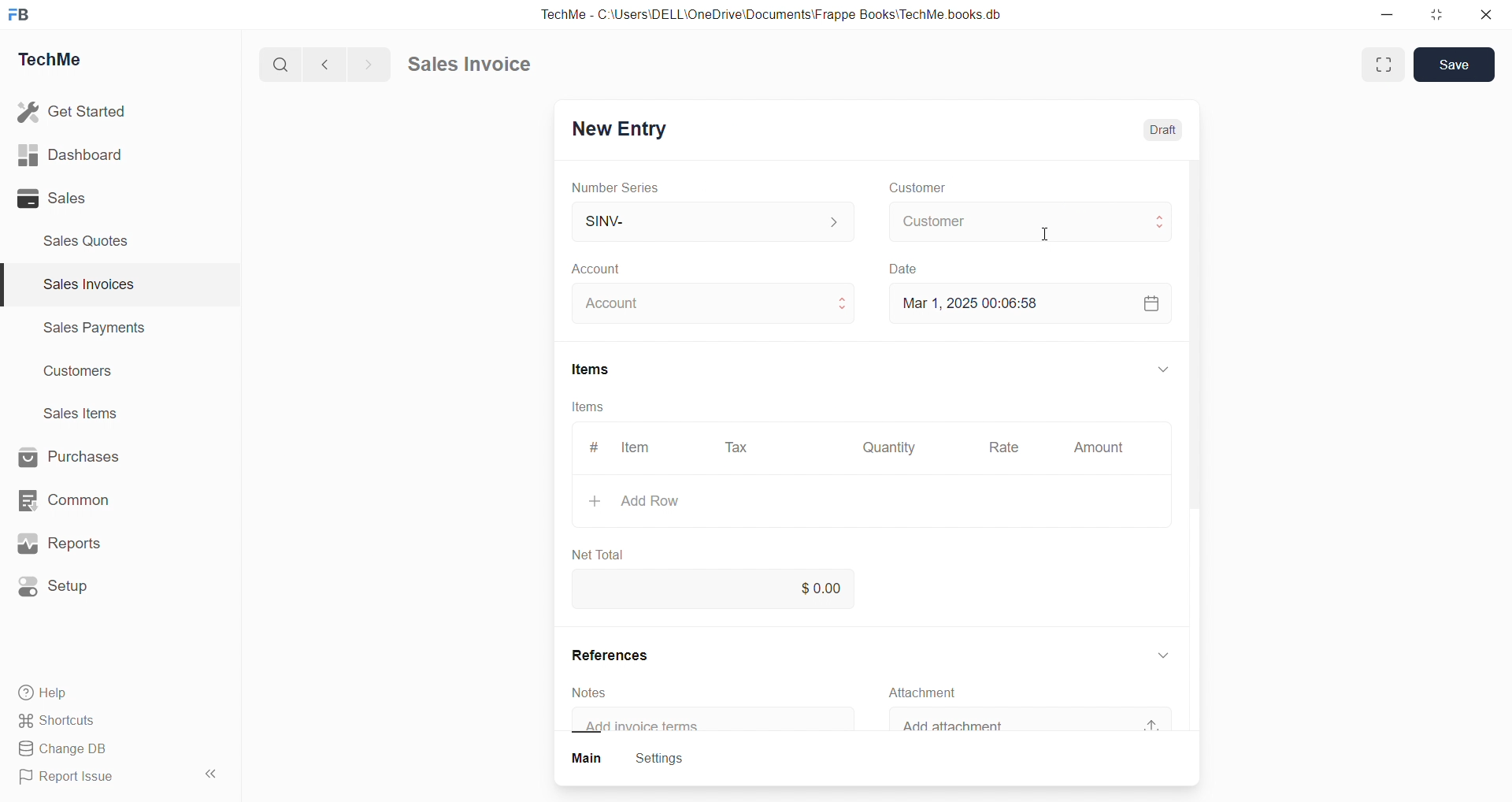 The height and width of the screenshot is (802, 1512). I want to click on + Add Row, so click(656, 501).